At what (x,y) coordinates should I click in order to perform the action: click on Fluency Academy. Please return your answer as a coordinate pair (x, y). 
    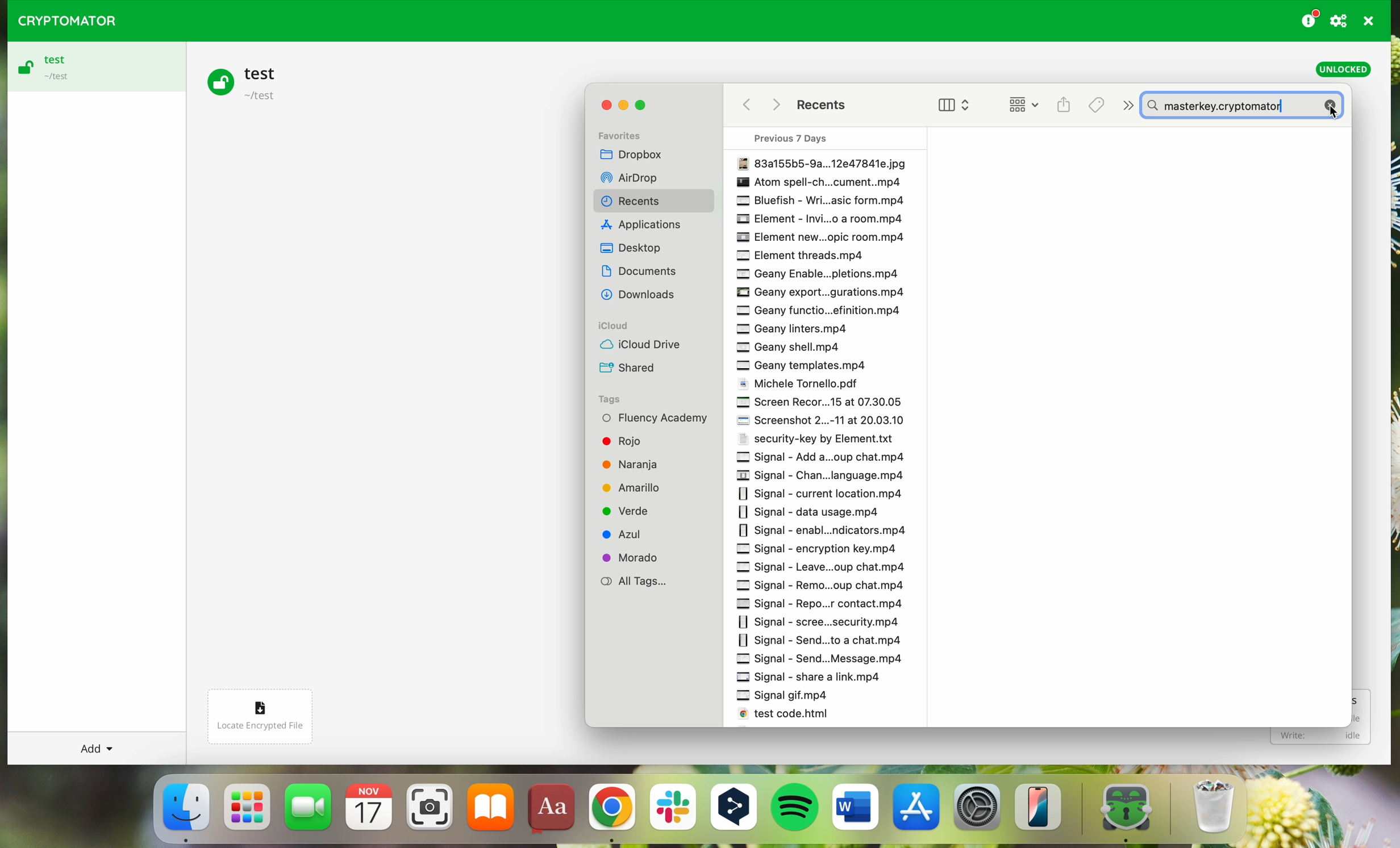
    Looking at the image, I should click on (656, 418).